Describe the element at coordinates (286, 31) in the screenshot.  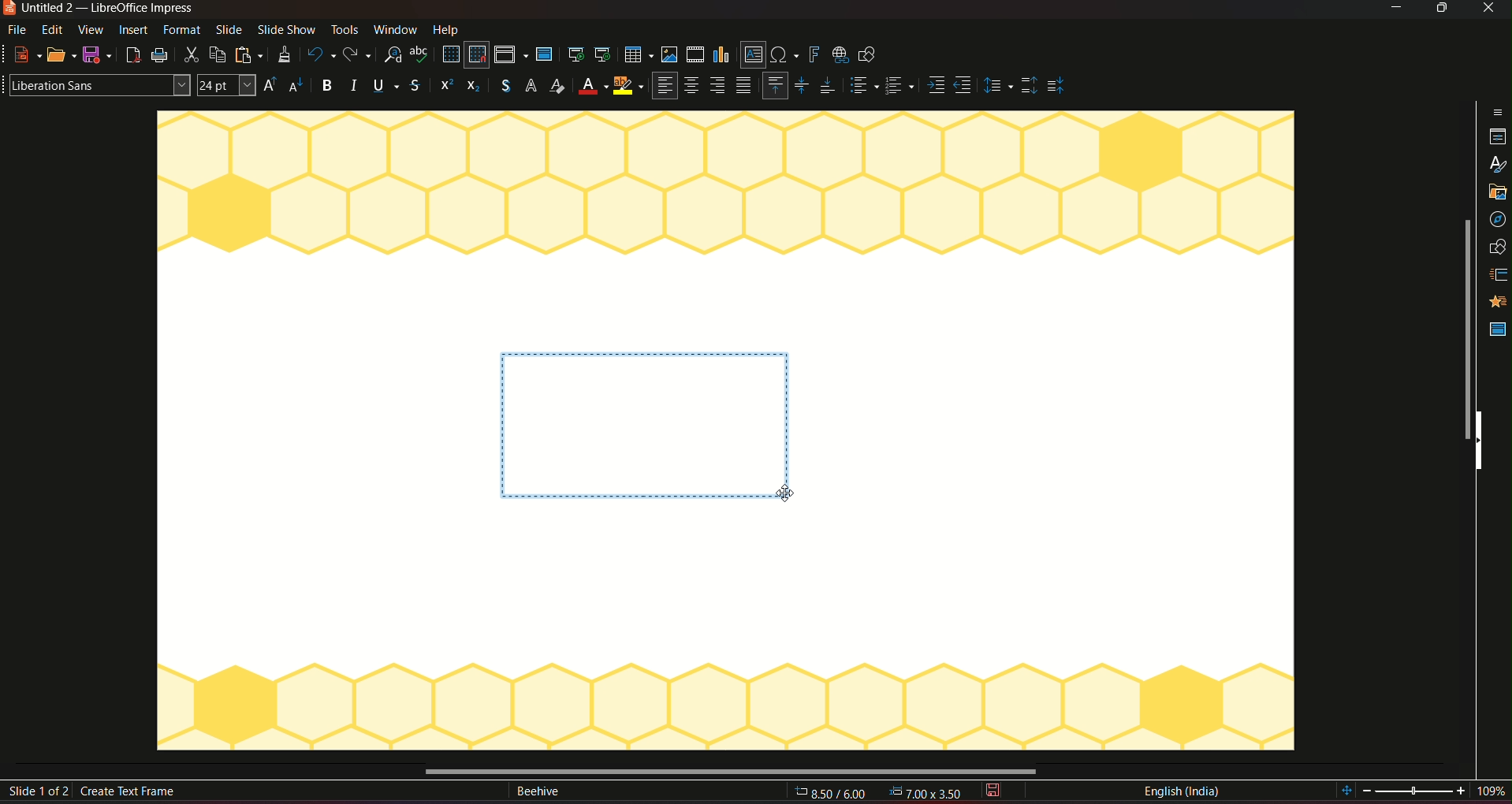
I see `slideshow` at that location.